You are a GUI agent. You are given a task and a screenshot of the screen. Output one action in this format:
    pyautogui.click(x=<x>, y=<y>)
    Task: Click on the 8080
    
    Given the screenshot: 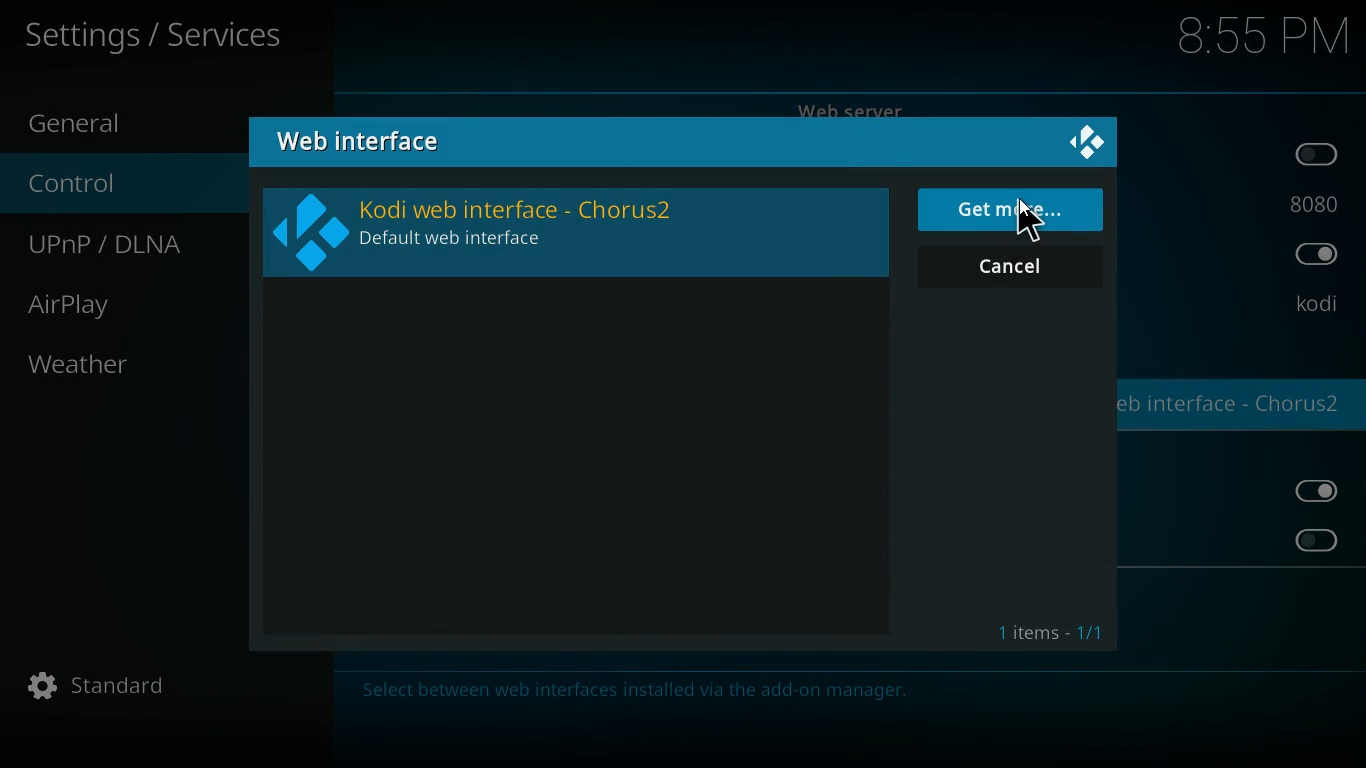 What is the action you would take?
    pyautogui.click(x=1313, y=201)
    